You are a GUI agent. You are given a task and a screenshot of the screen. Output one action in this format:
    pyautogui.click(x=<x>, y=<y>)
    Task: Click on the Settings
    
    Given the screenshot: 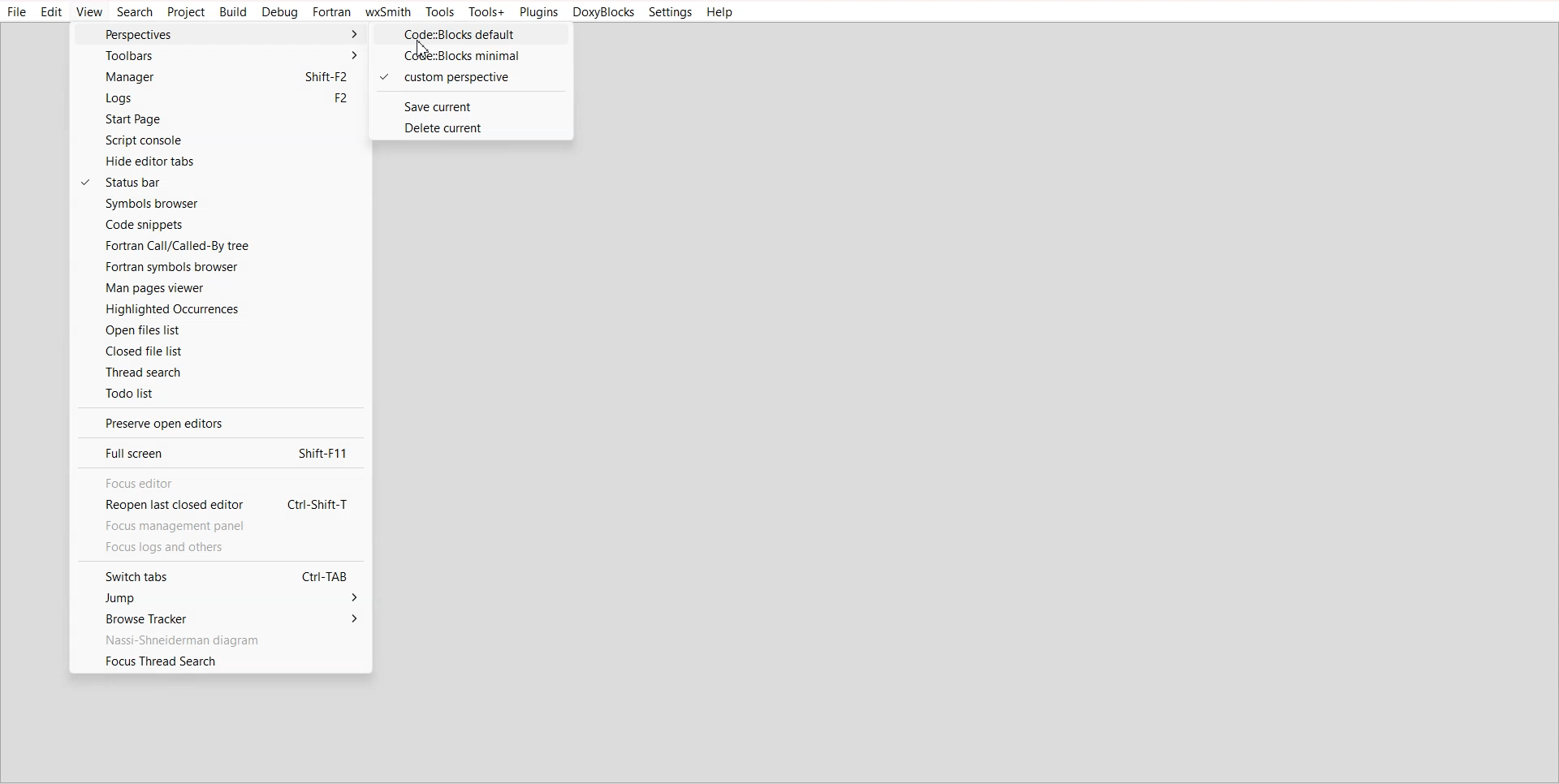 What is the action you would take?
    pyautogui.click(x=671, y=12)
    